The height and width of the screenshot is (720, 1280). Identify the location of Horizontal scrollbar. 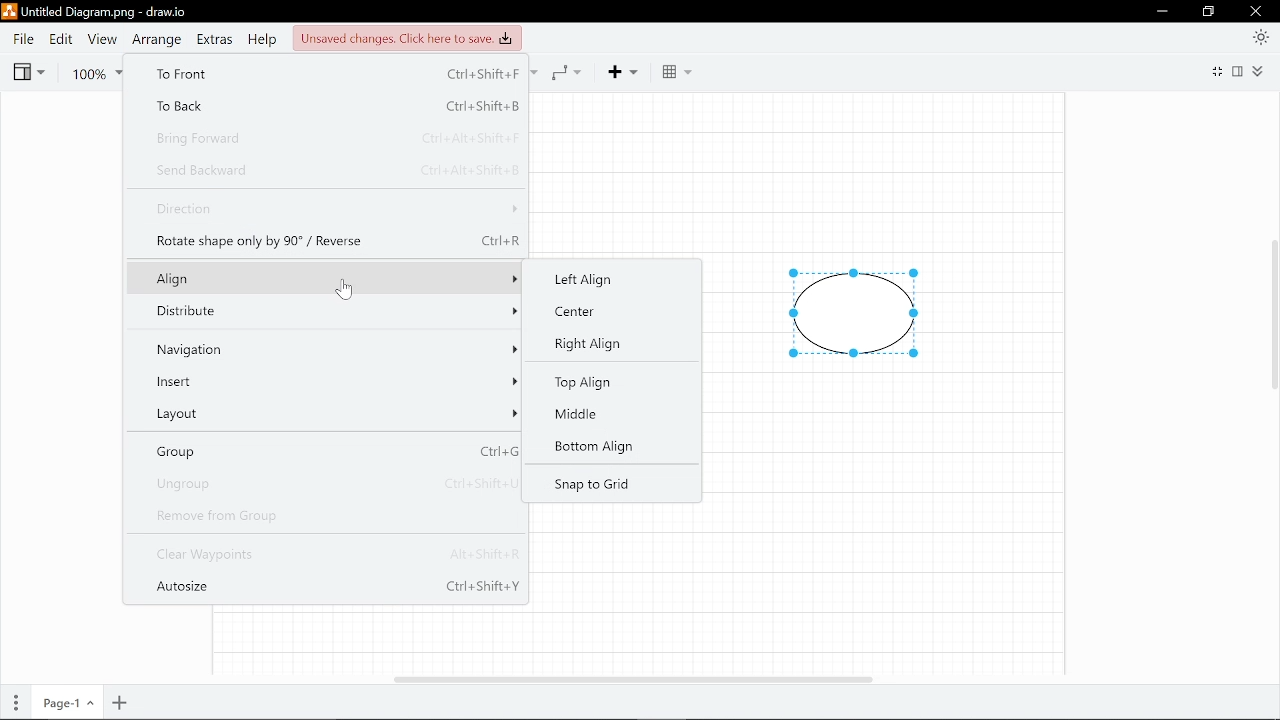
(634, 679).